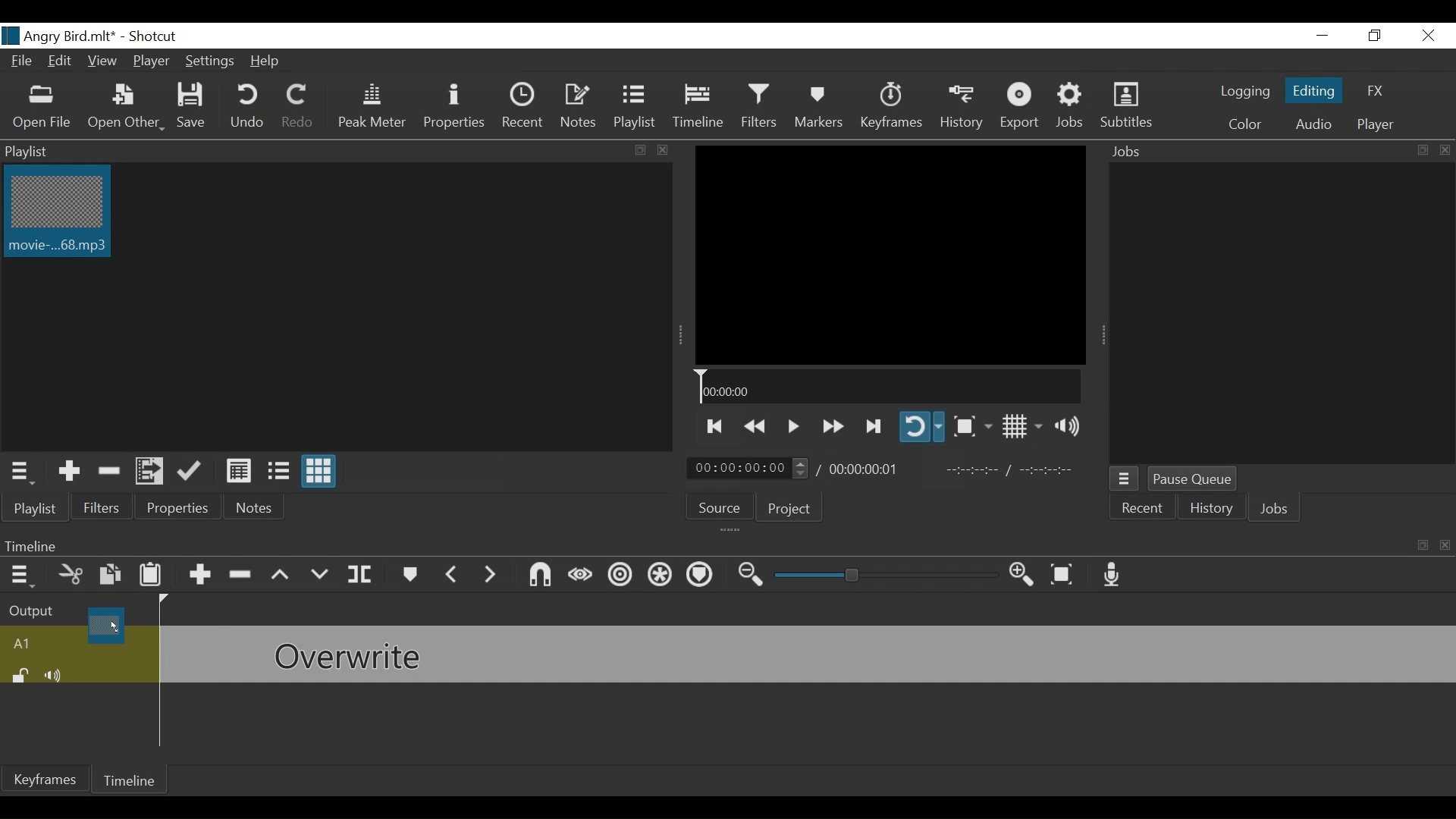 Image resolution: width=1456 pixels, height=819 pixels. Describe the element at coordinates (175, 507) in the screenshot. I see `Properties` at that location.